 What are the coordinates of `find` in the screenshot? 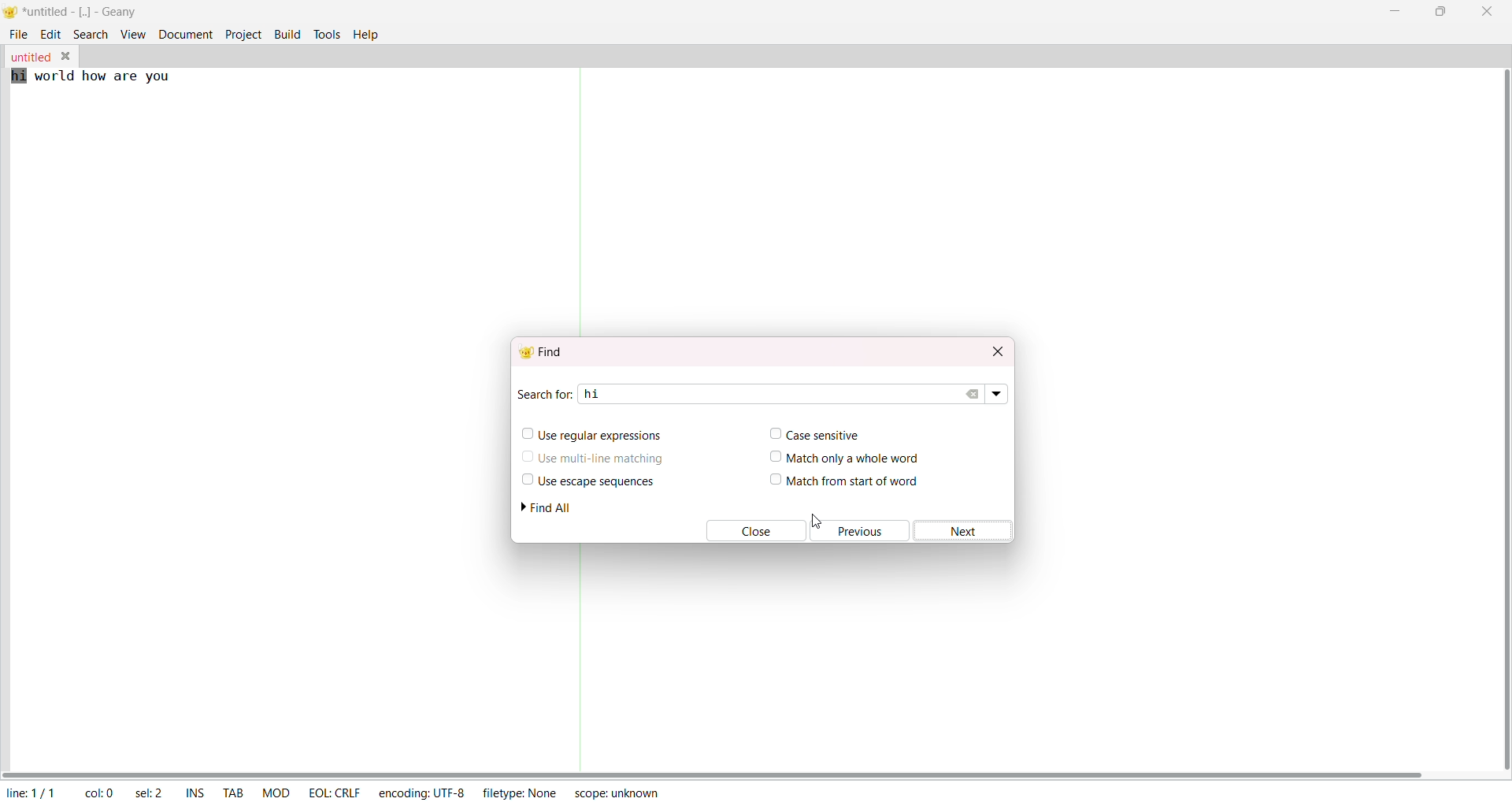 It's located at (539, 351).